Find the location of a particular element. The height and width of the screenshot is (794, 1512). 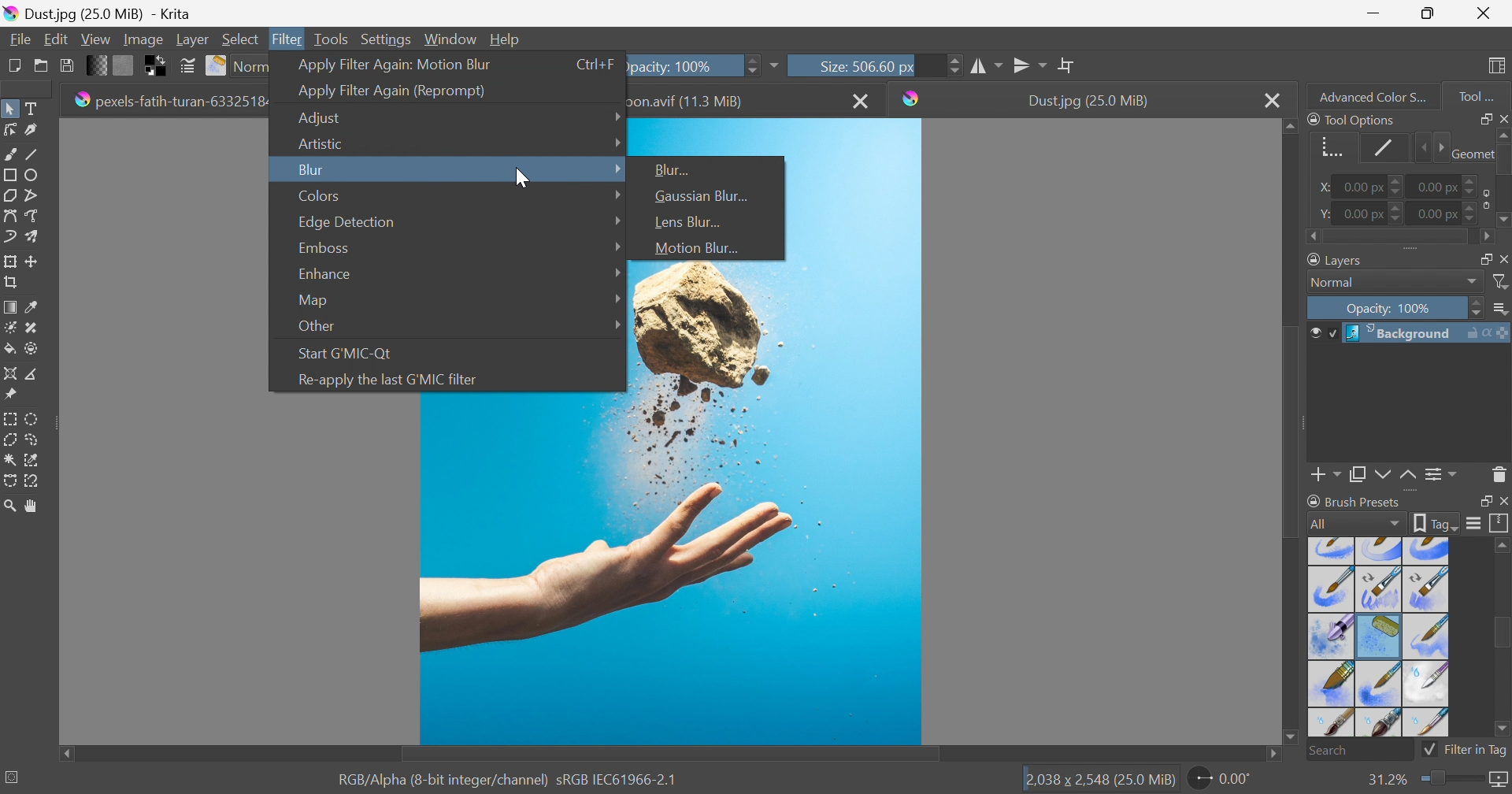

Move a layer is located at coordinates (35, 261).